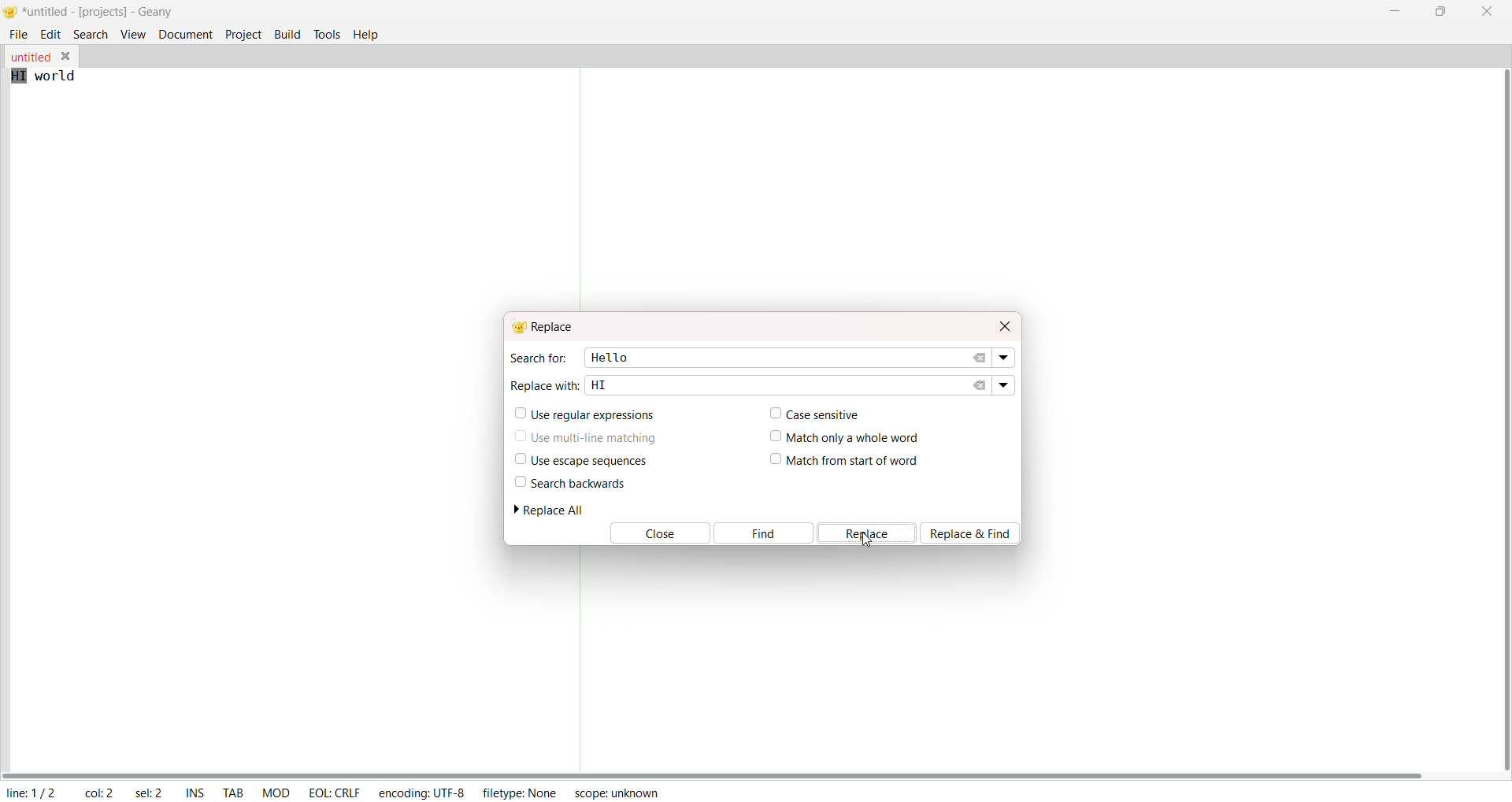 The image size is (1512, 802). I want to click on replaced hello with hi, so click(19, 76).